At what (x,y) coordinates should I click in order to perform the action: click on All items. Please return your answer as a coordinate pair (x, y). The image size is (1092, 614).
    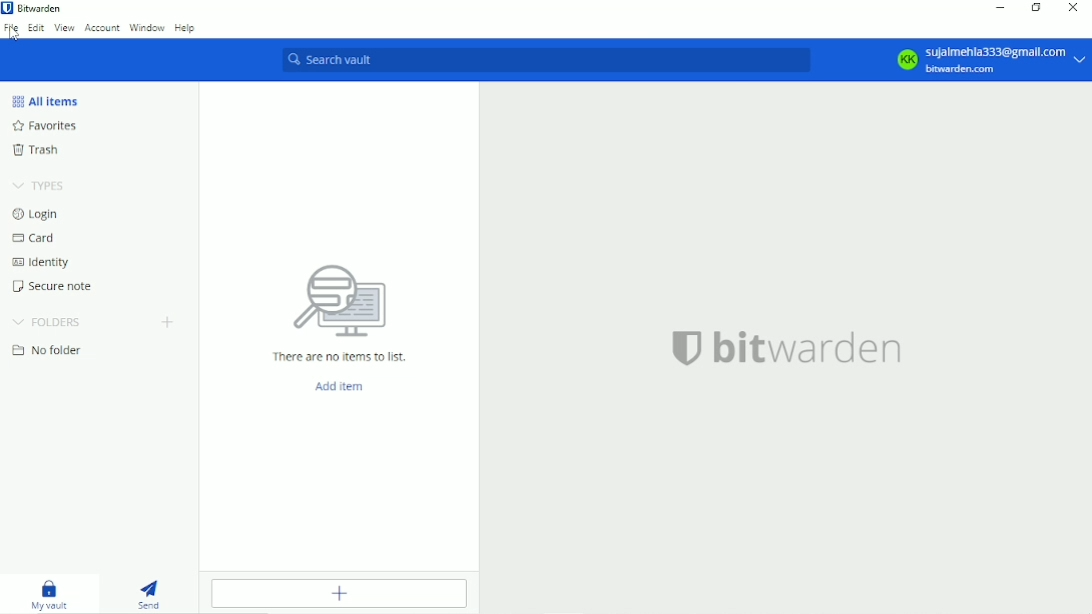
    Looking at the image, I should click on (49, 102).